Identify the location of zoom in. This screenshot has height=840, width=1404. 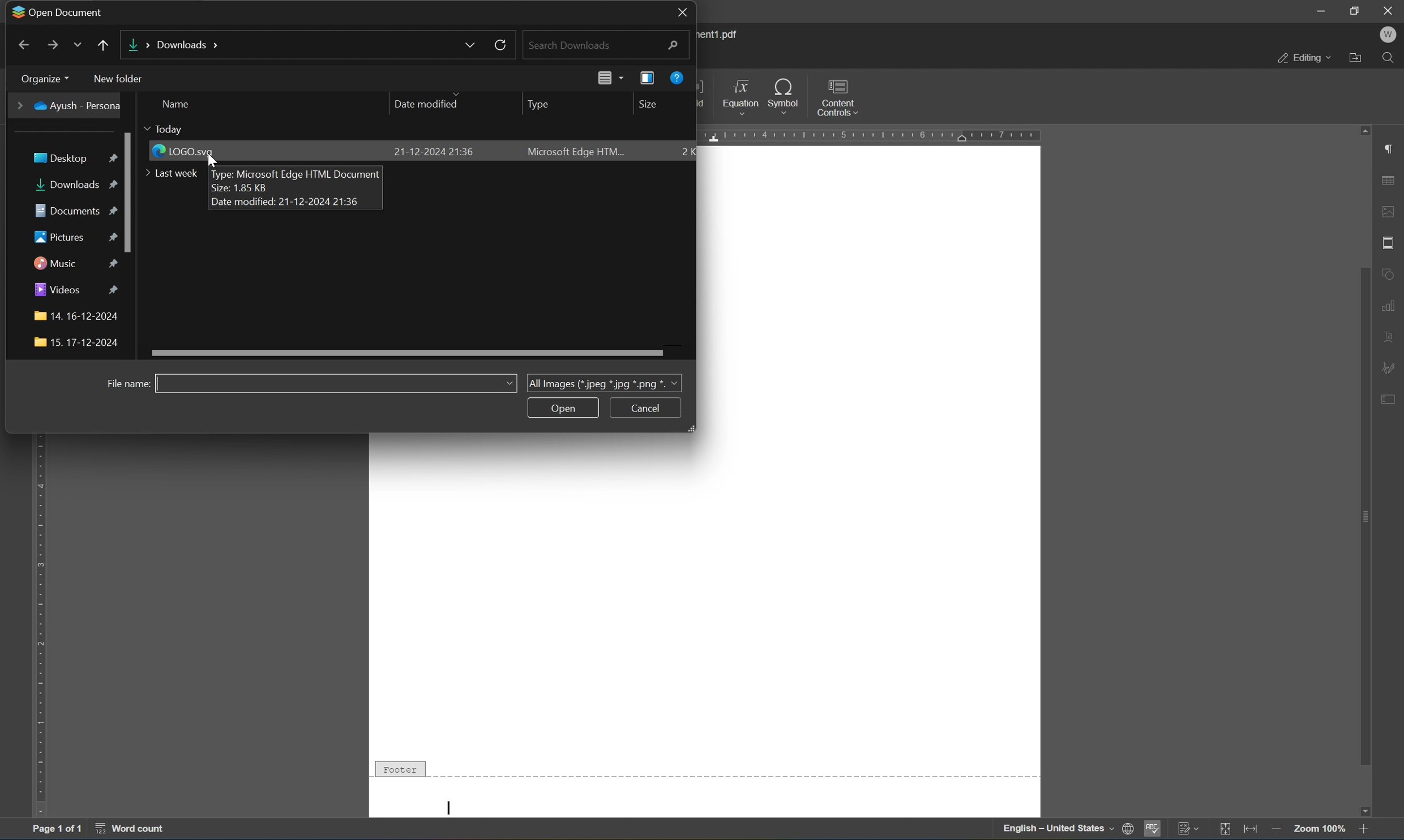
(1367, 830).